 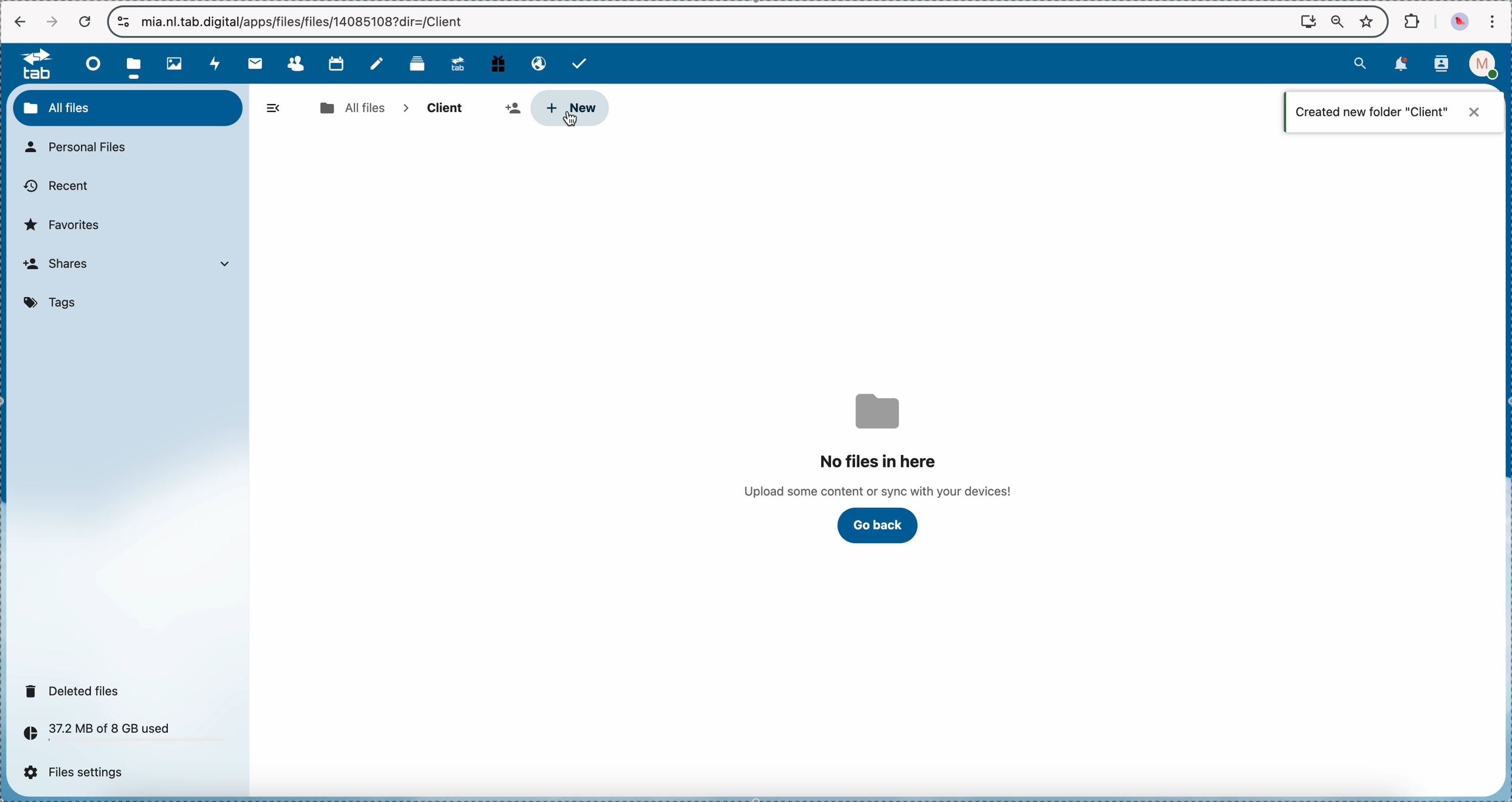 I want to click on favorites, so click(x=66, y=224).